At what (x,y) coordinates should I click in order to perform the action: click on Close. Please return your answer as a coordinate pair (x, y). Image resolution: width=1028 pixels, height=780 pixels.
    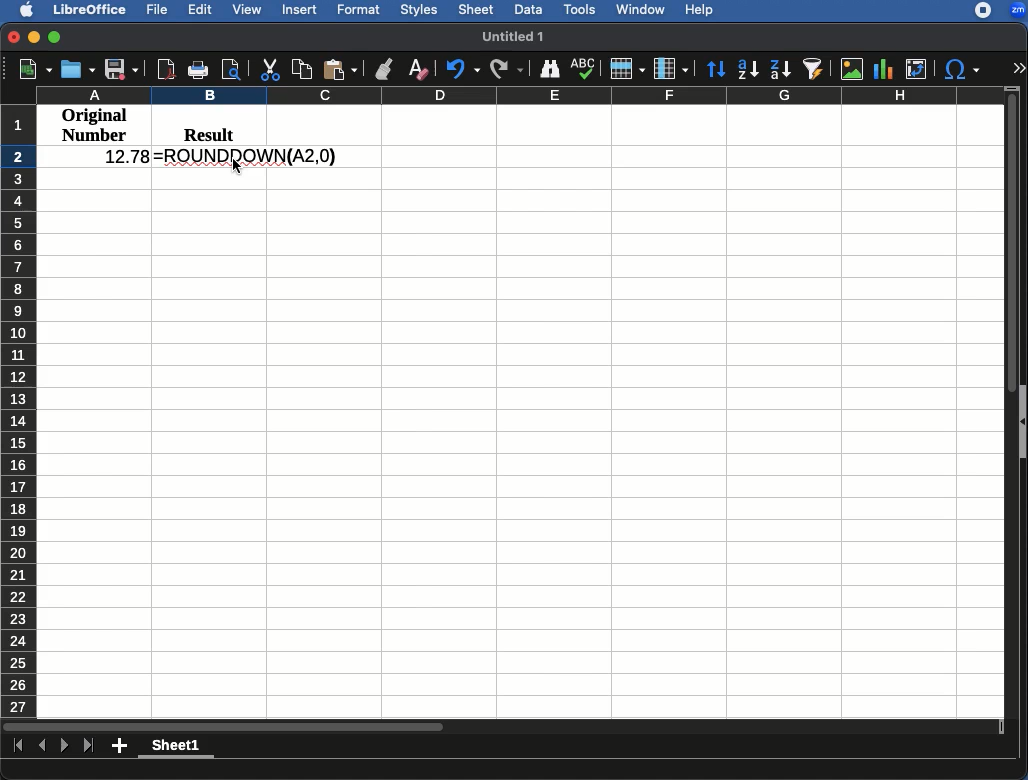
    Looking at the image, I should click on (12, 39).